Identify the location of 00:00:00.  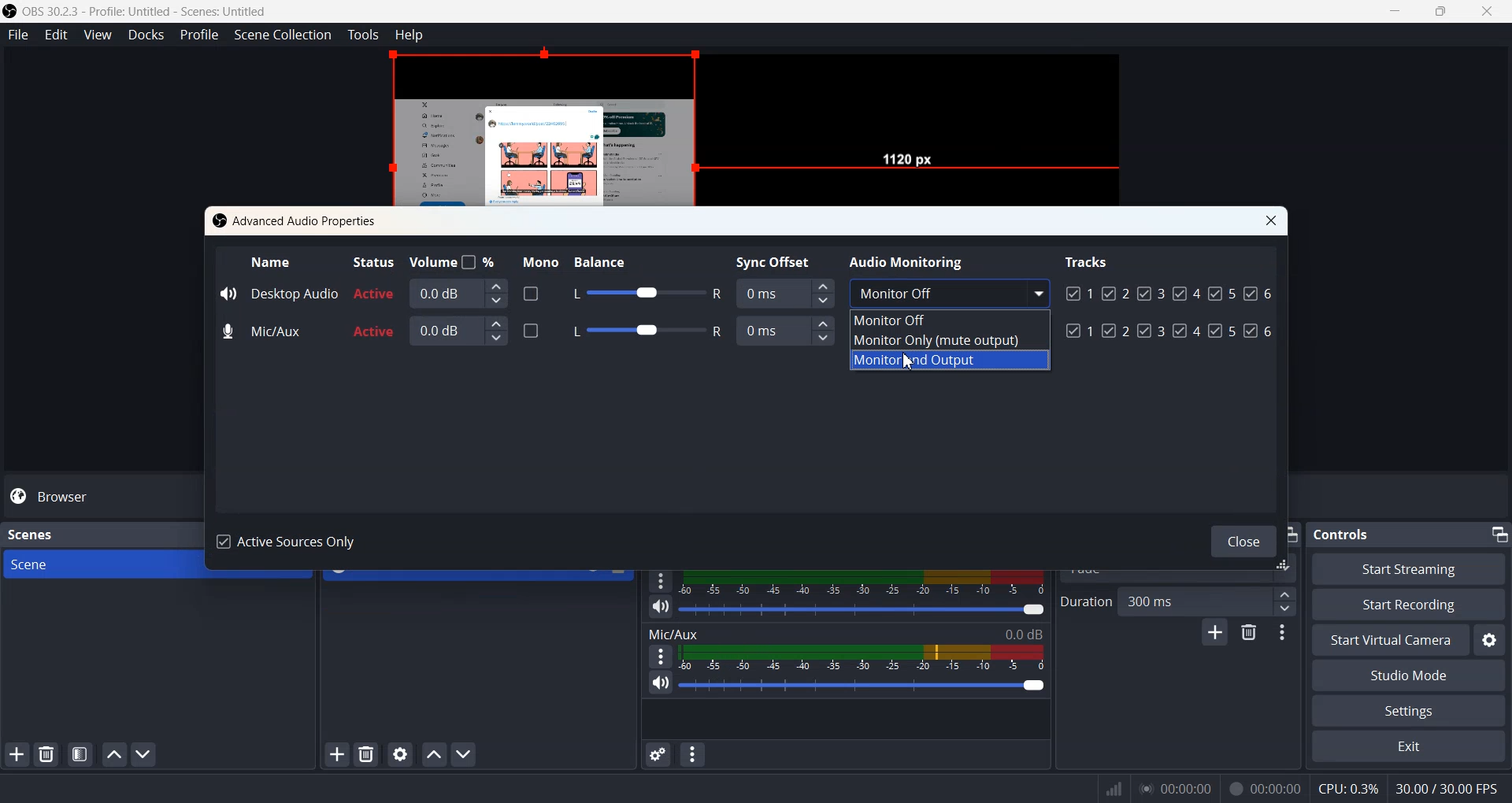
(1266, 786).